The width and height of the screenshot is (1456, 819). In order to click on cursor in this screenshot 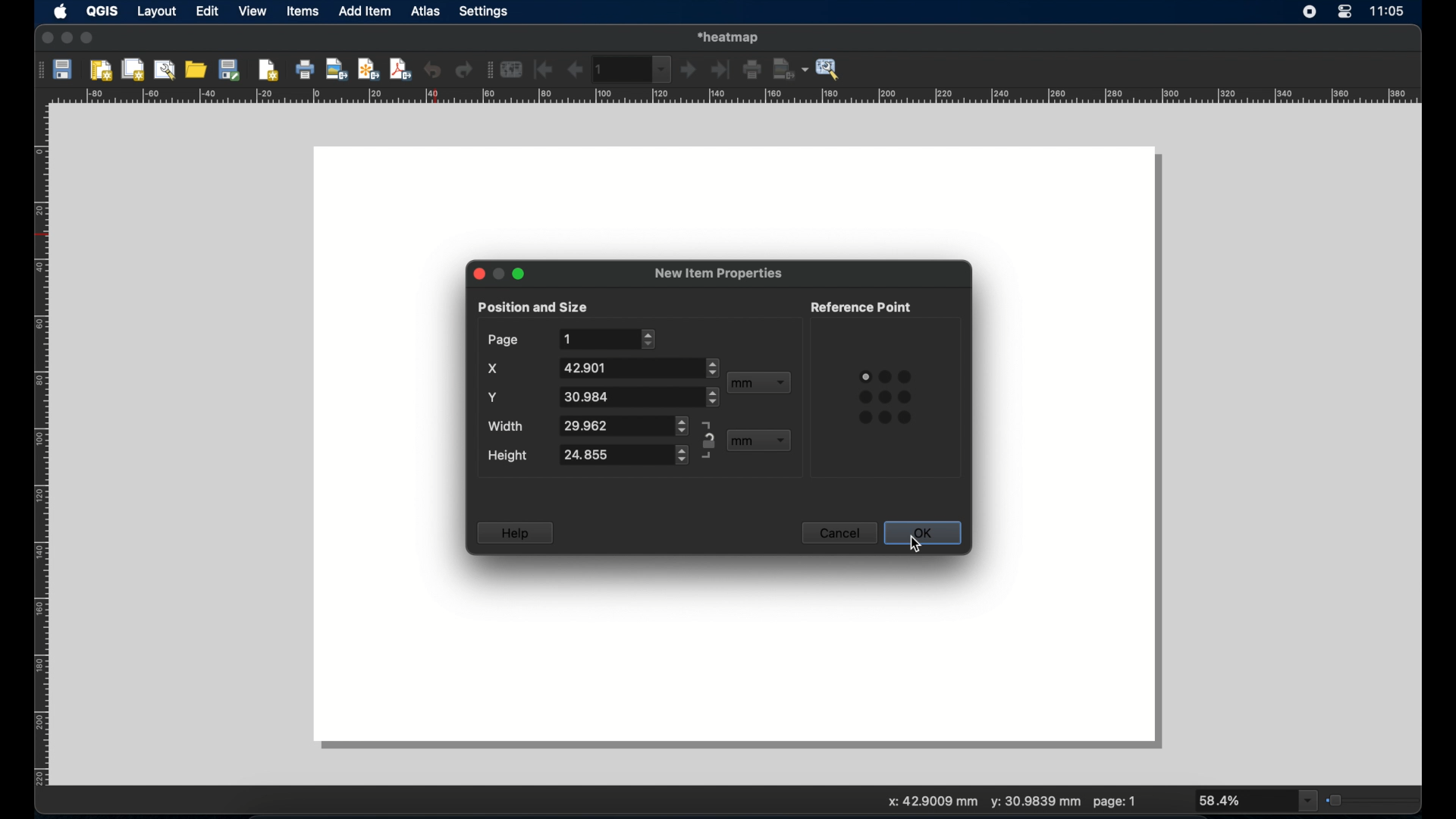, I will do `click(918, 549)`.